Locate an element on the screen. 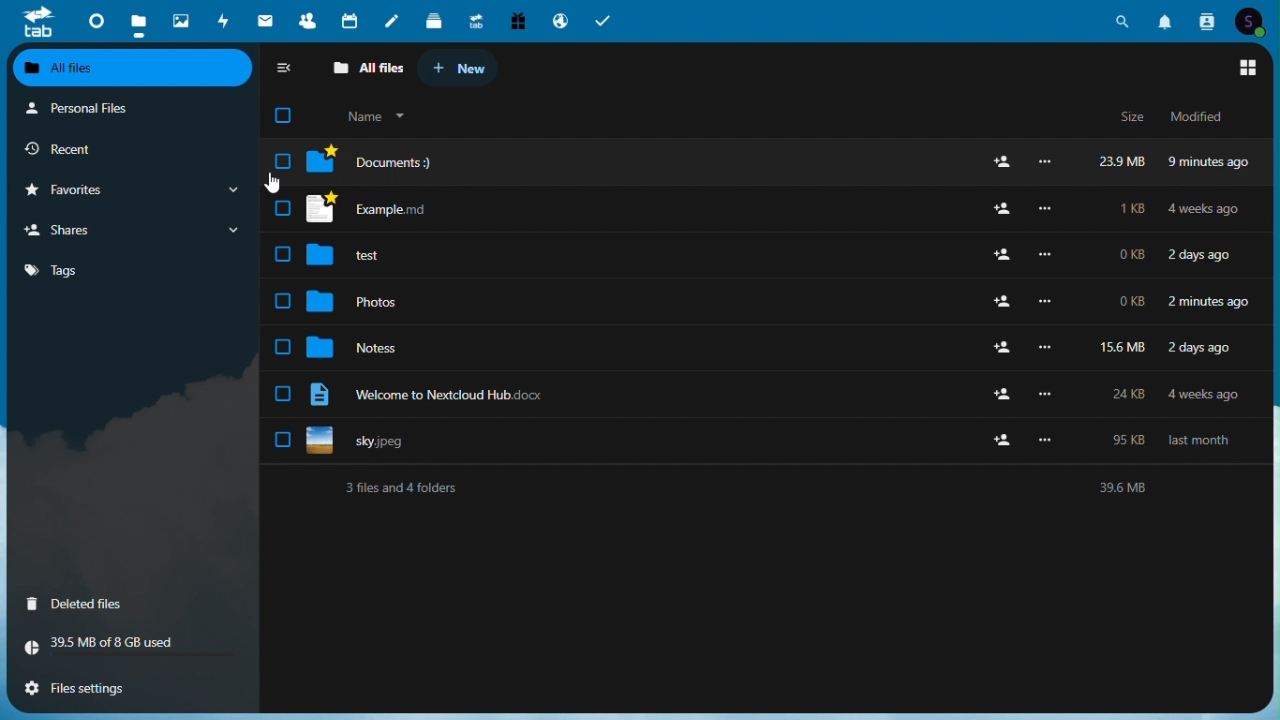 The image size is (1280, 720). All files is located at coordinates (370, 68).